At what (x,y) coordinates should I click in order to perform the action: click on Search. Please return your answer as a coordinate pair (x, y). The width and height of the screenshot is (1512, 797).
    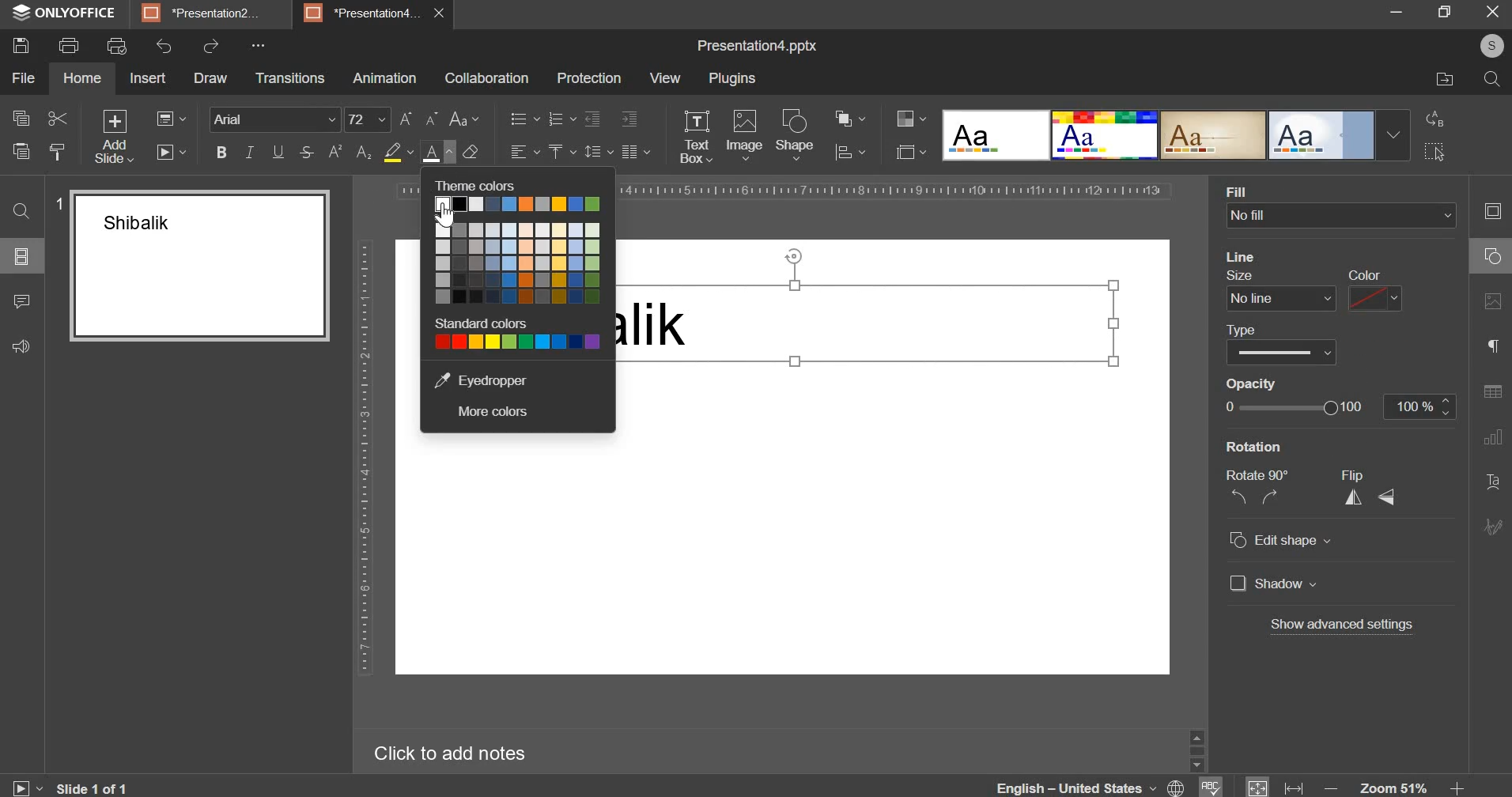
    Looking at the image, I should click on (1491, 81).